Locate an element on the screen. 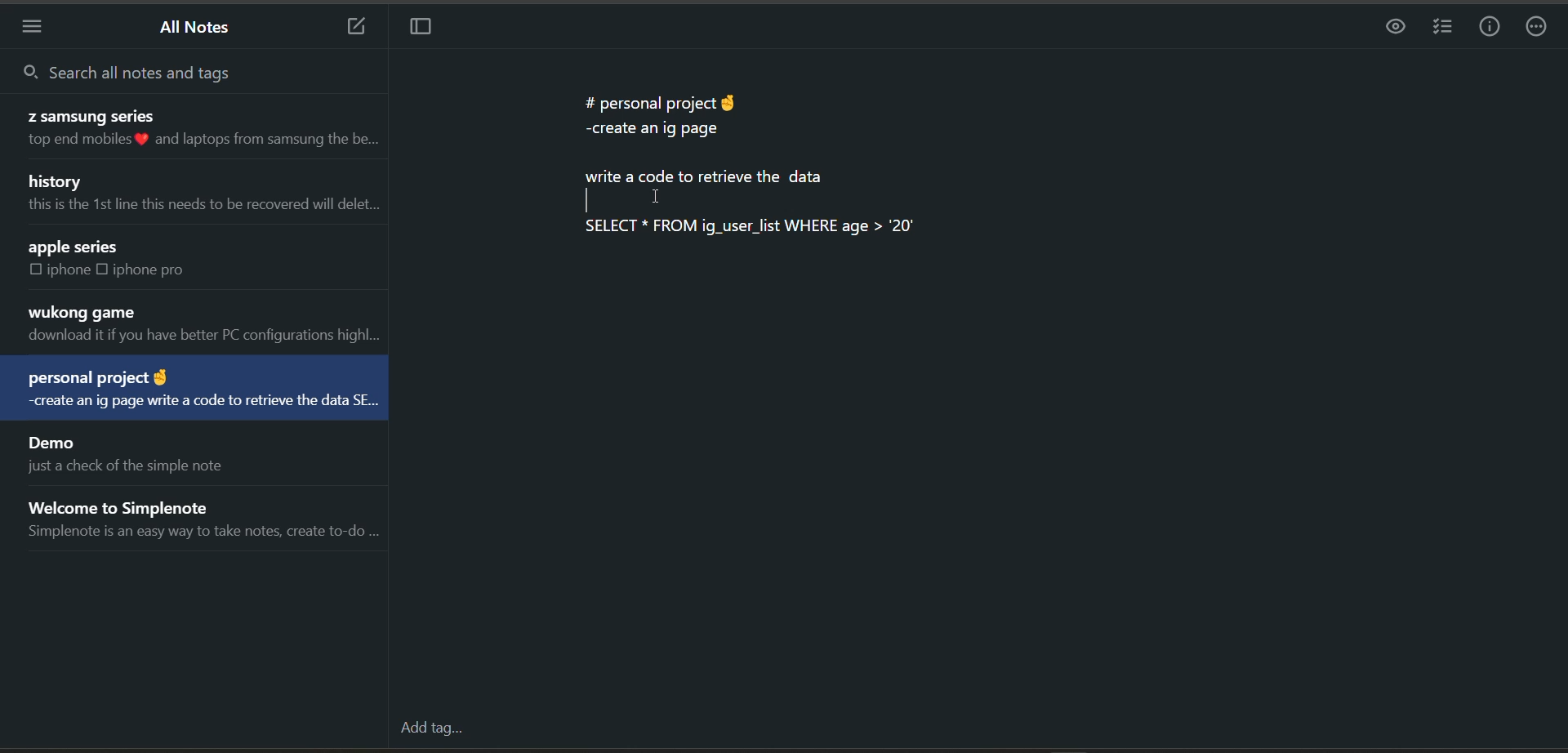 The height and width of the screenshot is (753, 1568). all notes is located at coordinates (197, 30).